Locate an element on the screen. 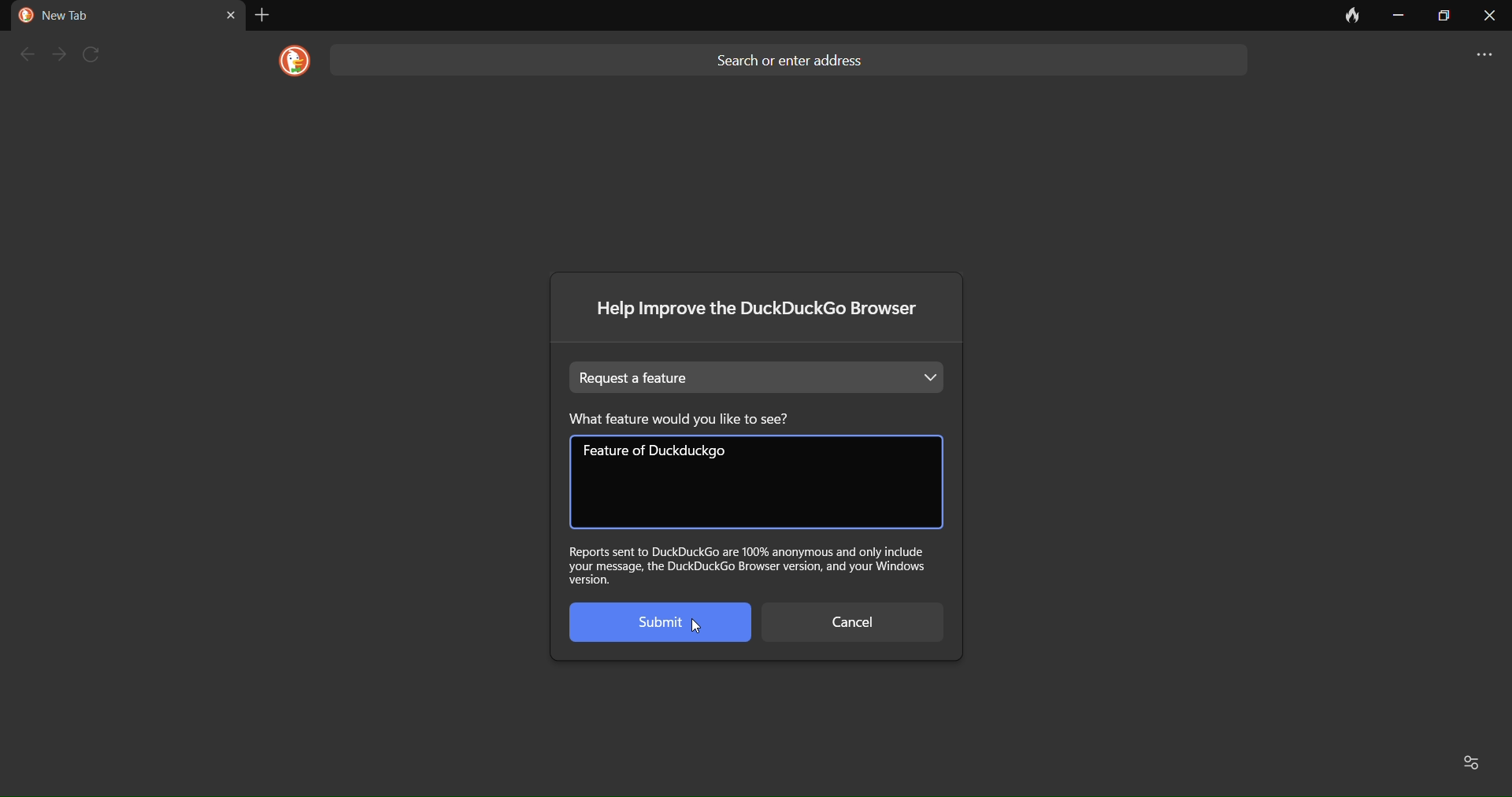 The image size is (1512, 797). Help improve the DuckDuckGo browser is located at coordinates (762, 313).